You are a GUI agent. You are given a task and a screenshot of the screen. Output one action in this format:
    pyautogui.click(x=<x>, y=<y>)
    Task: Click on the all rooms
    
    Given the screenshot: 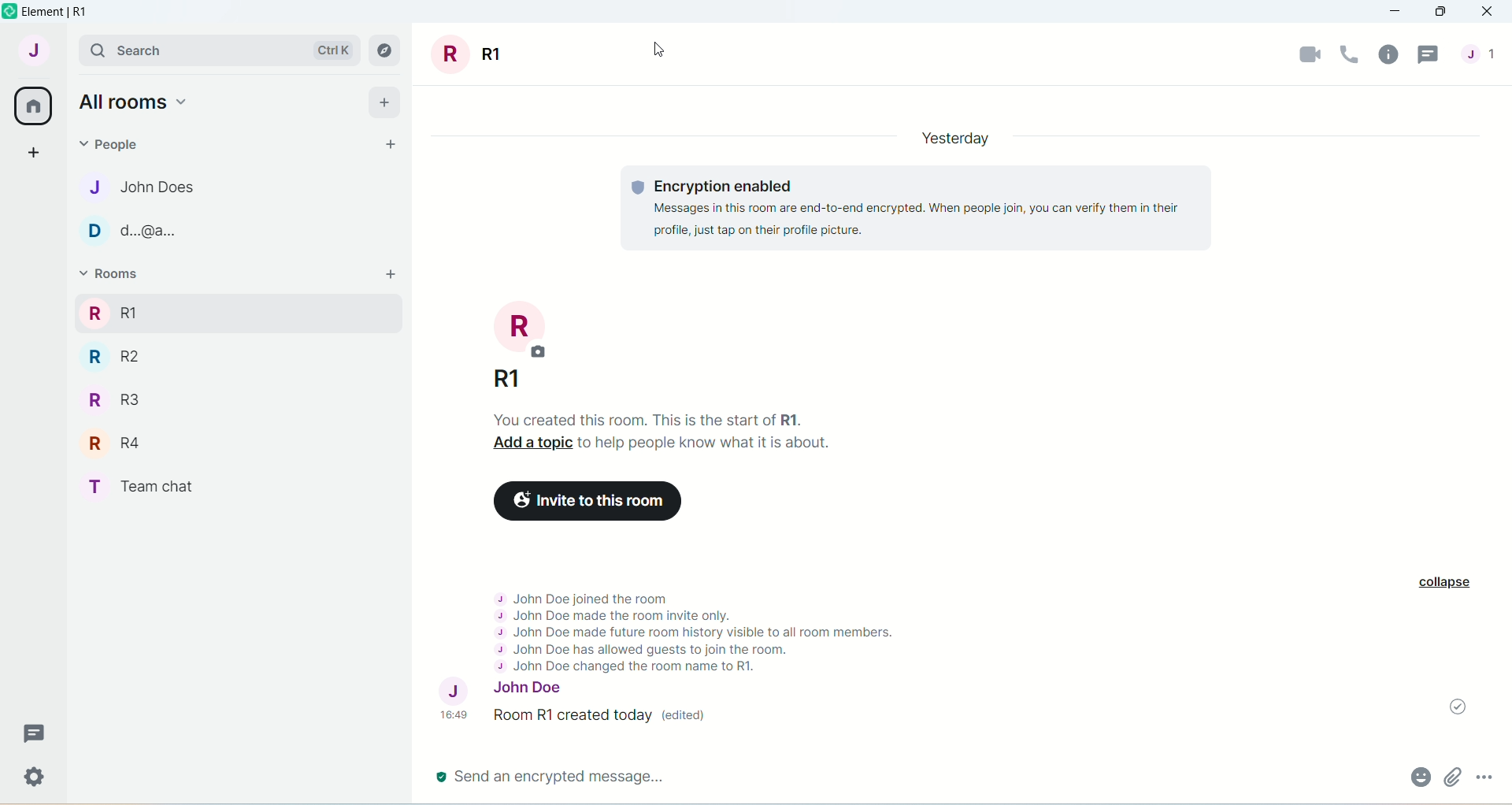 What is the action you would take?
    pyautogui.click(x=131, y=103)
    